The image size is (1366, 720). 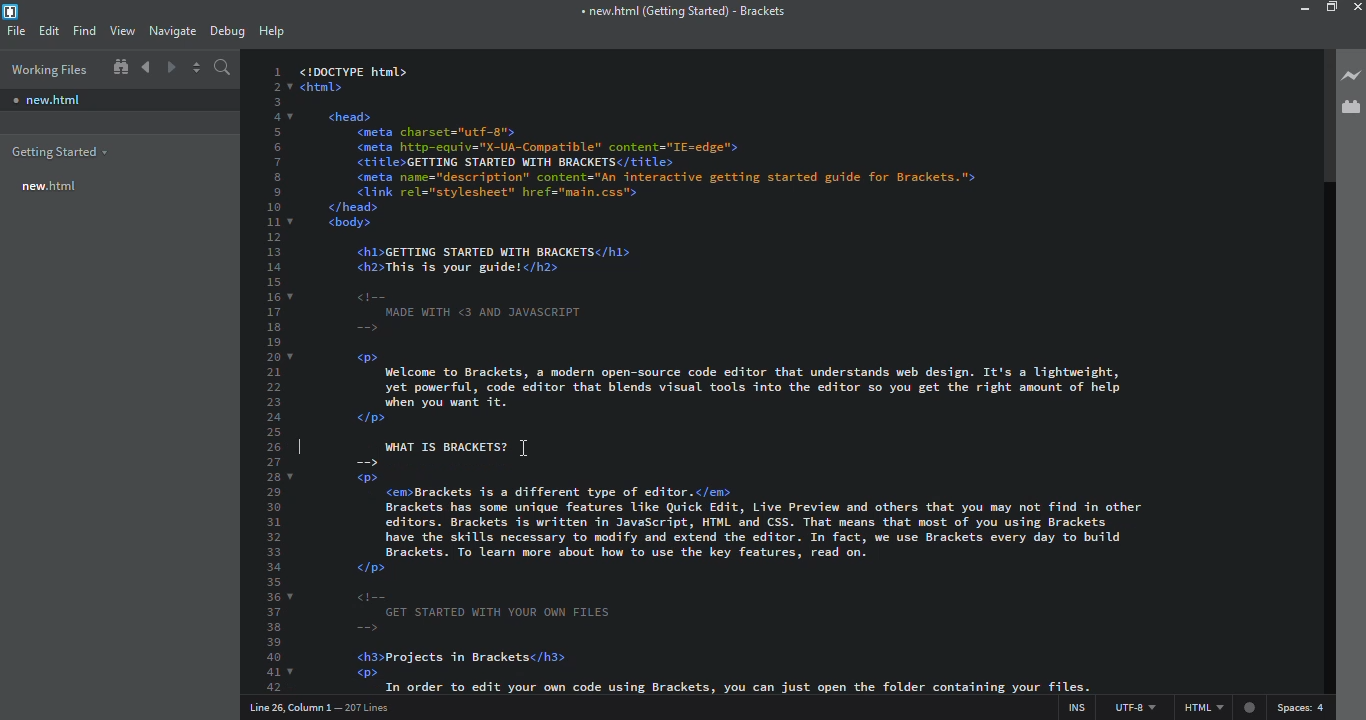 I want to click on search, so click(x=225, y=70).